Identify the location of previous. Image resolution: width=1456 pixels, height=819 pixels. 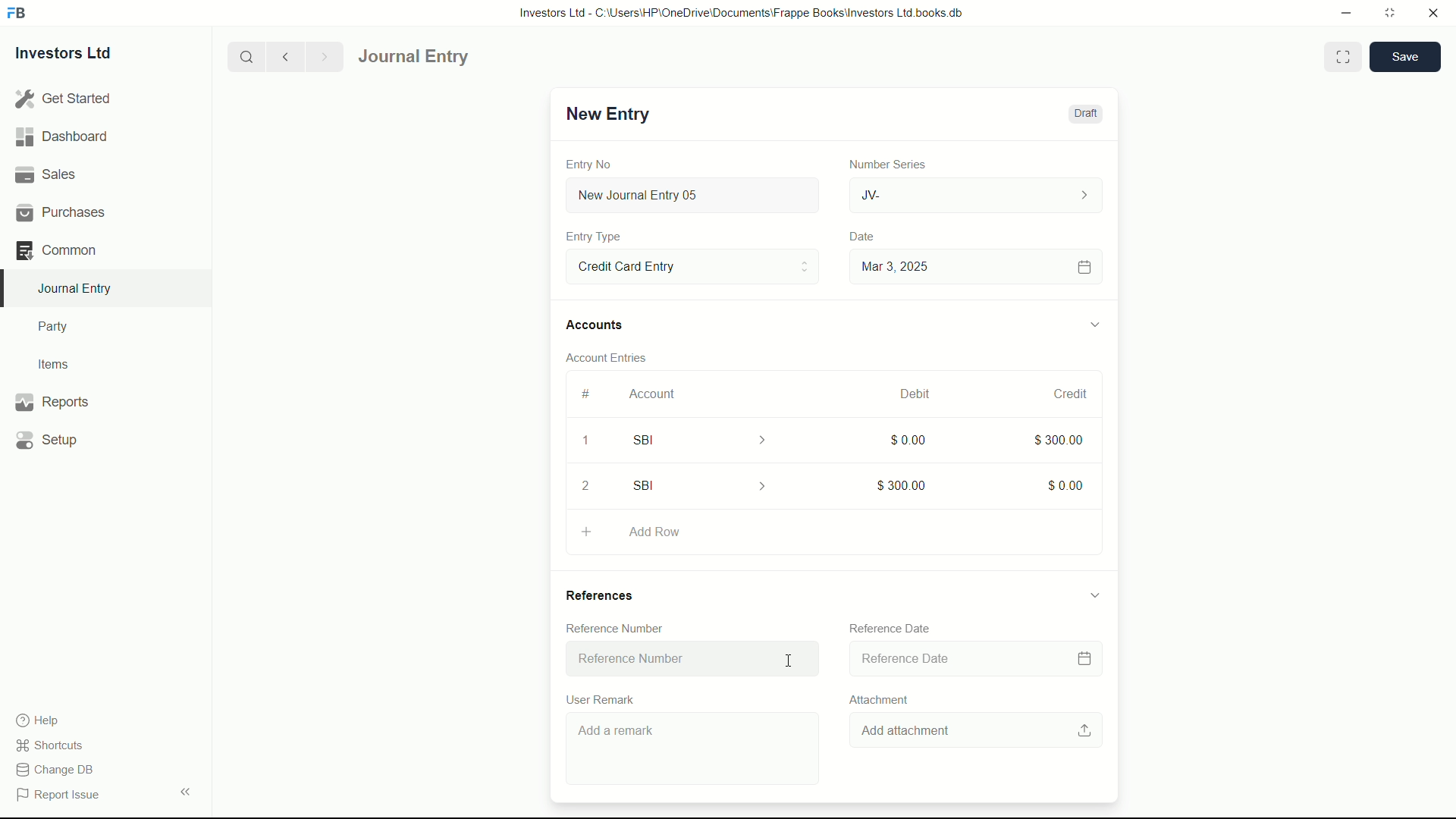
(284, 56).